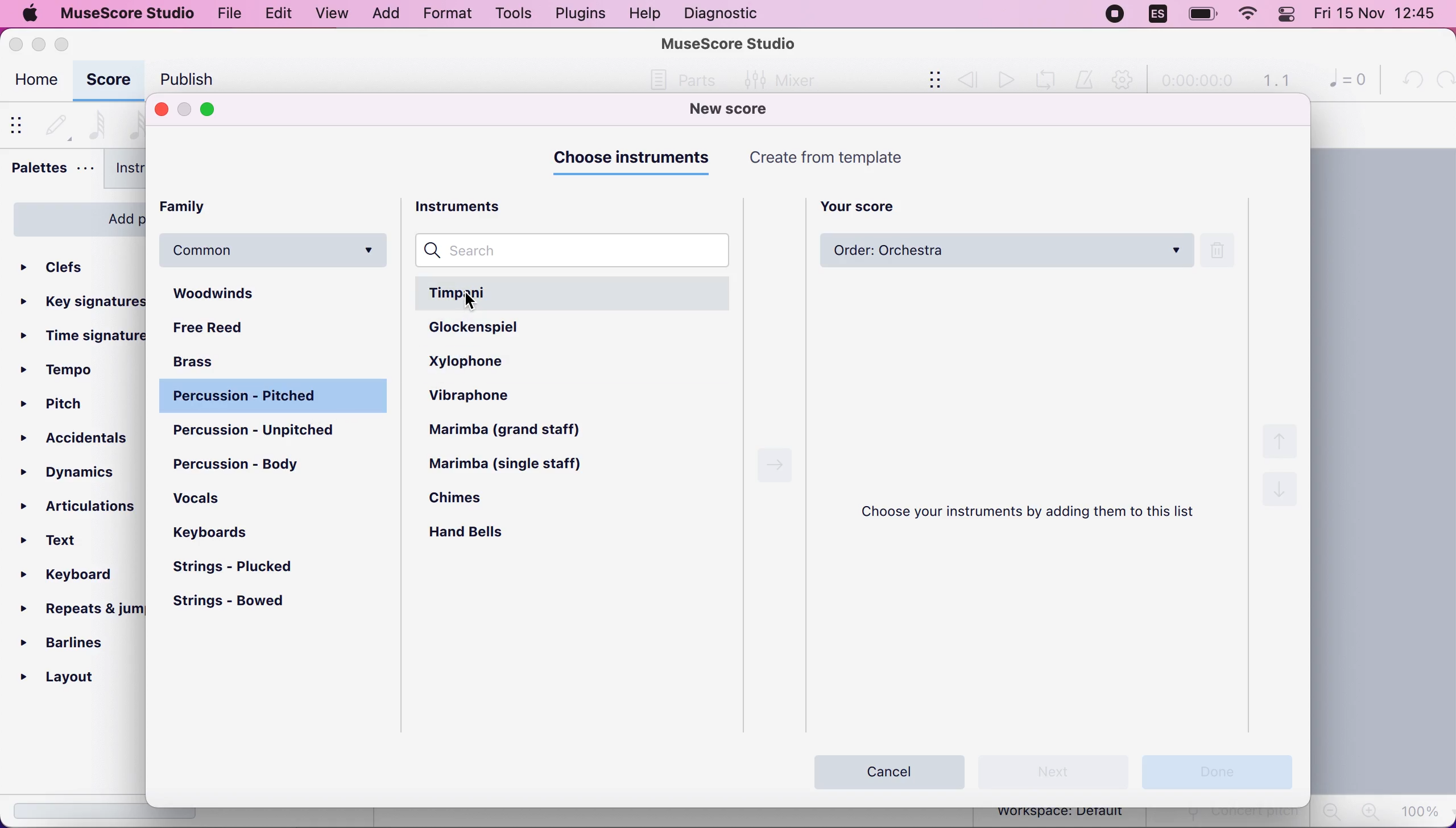  What do you see at coordinates (185, 110) in the screenshot?
I see `minimize` at bounding box center [185, 110].